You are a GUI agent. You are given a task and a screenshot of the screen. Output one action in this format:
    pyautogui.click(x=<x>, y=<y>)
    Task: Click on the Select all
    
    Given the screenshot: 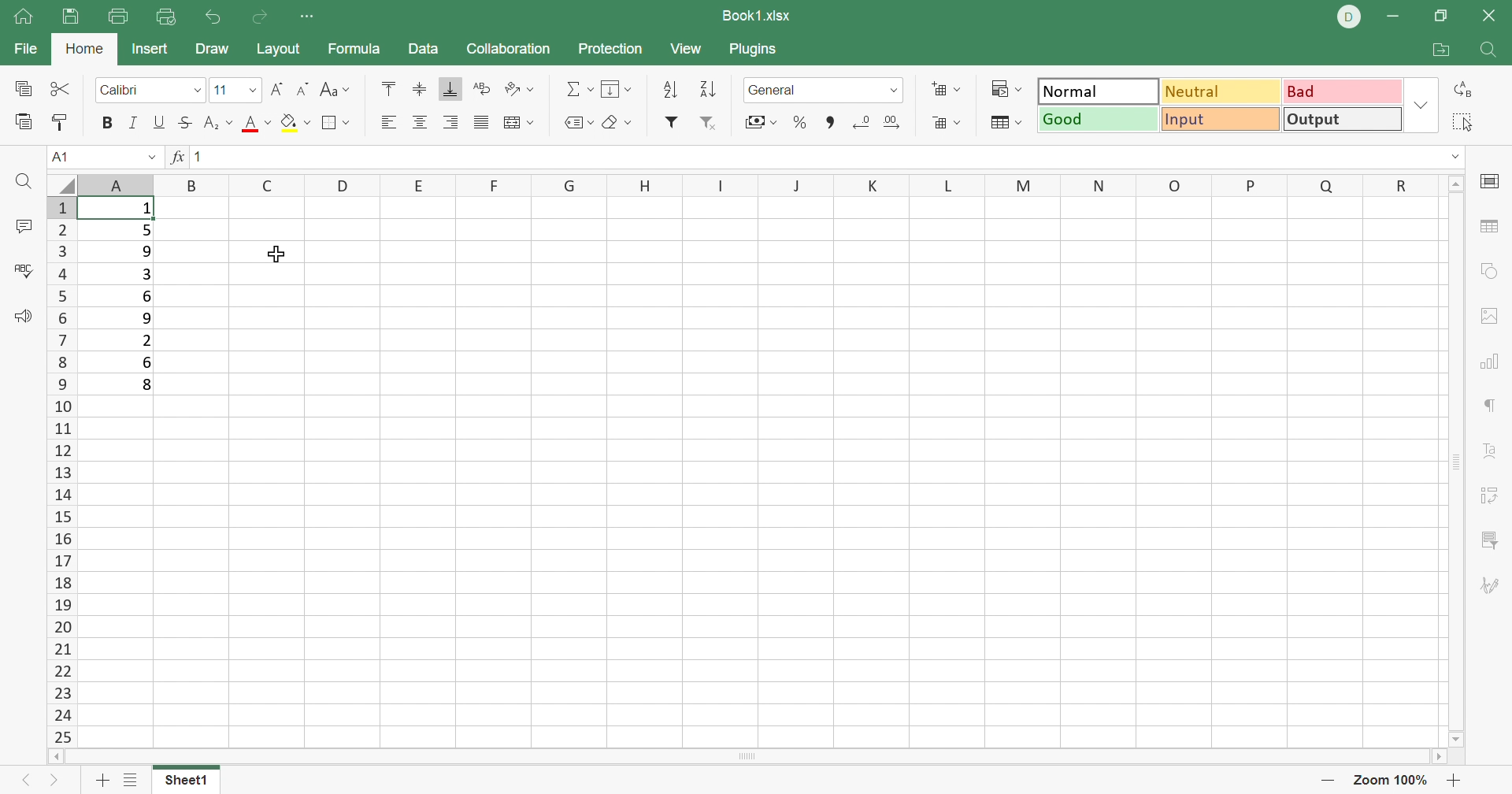 What is the action you would take?
    pyautogui.click(x=1463, y=124)
    